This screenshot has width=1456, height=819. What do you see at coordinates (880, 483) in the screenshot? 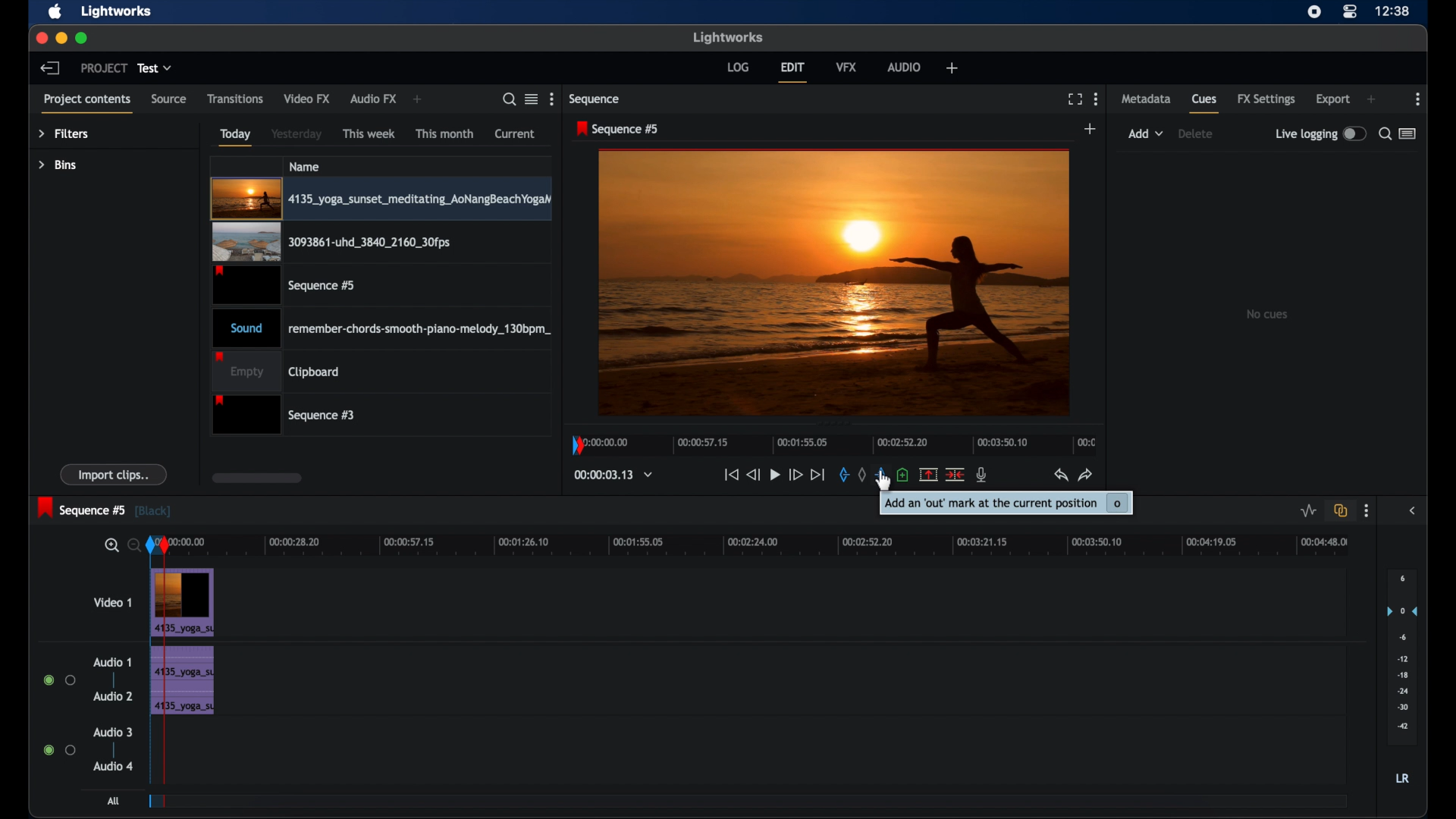
I see `cursor` at bounding box center [880, 483].